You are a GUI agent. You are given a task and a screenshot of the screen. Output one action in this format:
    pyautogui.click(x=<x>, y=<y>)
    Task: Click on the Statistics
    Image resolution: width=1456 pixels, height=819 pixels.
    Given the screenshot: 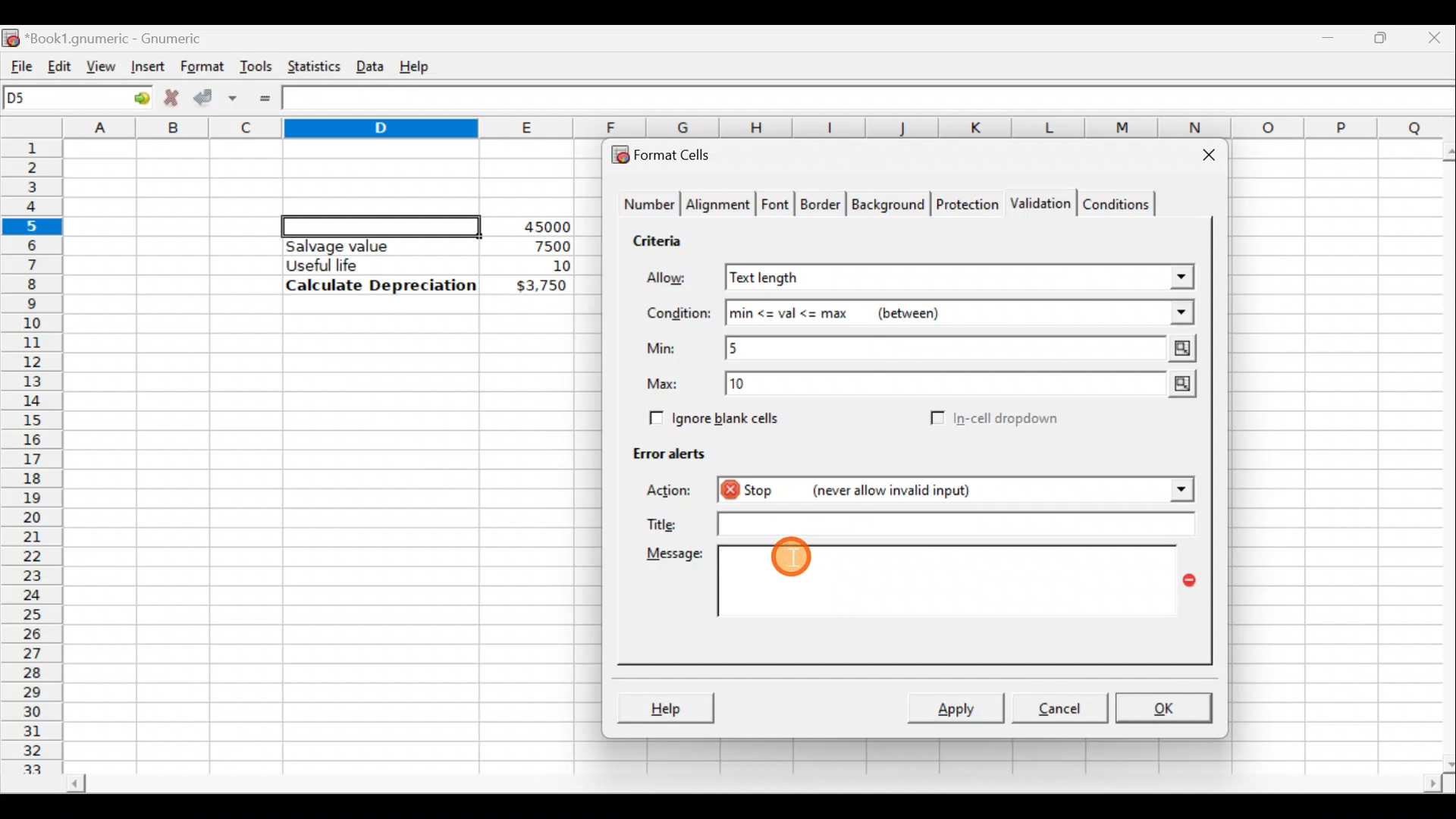 What is the action you would take?
    pyautogui.click(x=310, y=65)
    